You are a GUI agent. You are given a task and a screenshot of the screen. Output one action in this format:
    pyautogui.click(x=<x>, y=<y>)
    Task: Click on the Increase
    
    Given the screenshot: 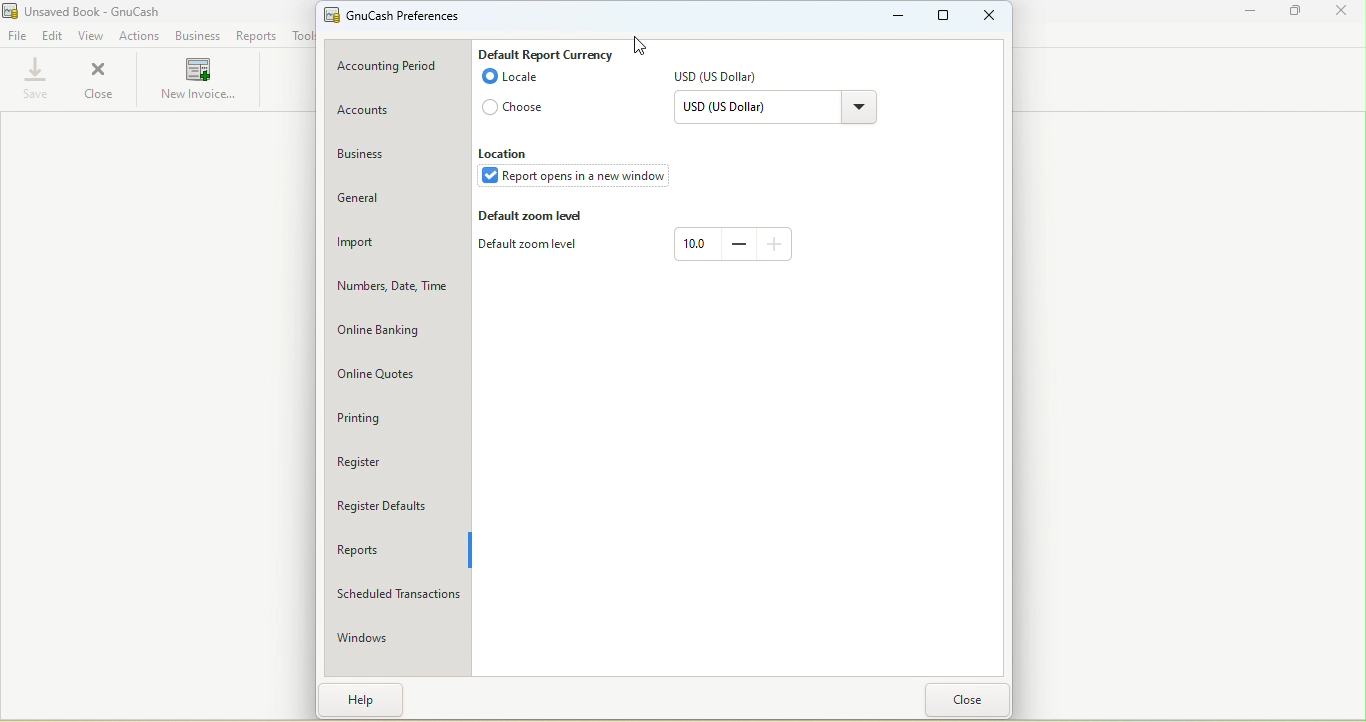 What is the action you would take?
    pyautogui.click(x=775, y=242)
    